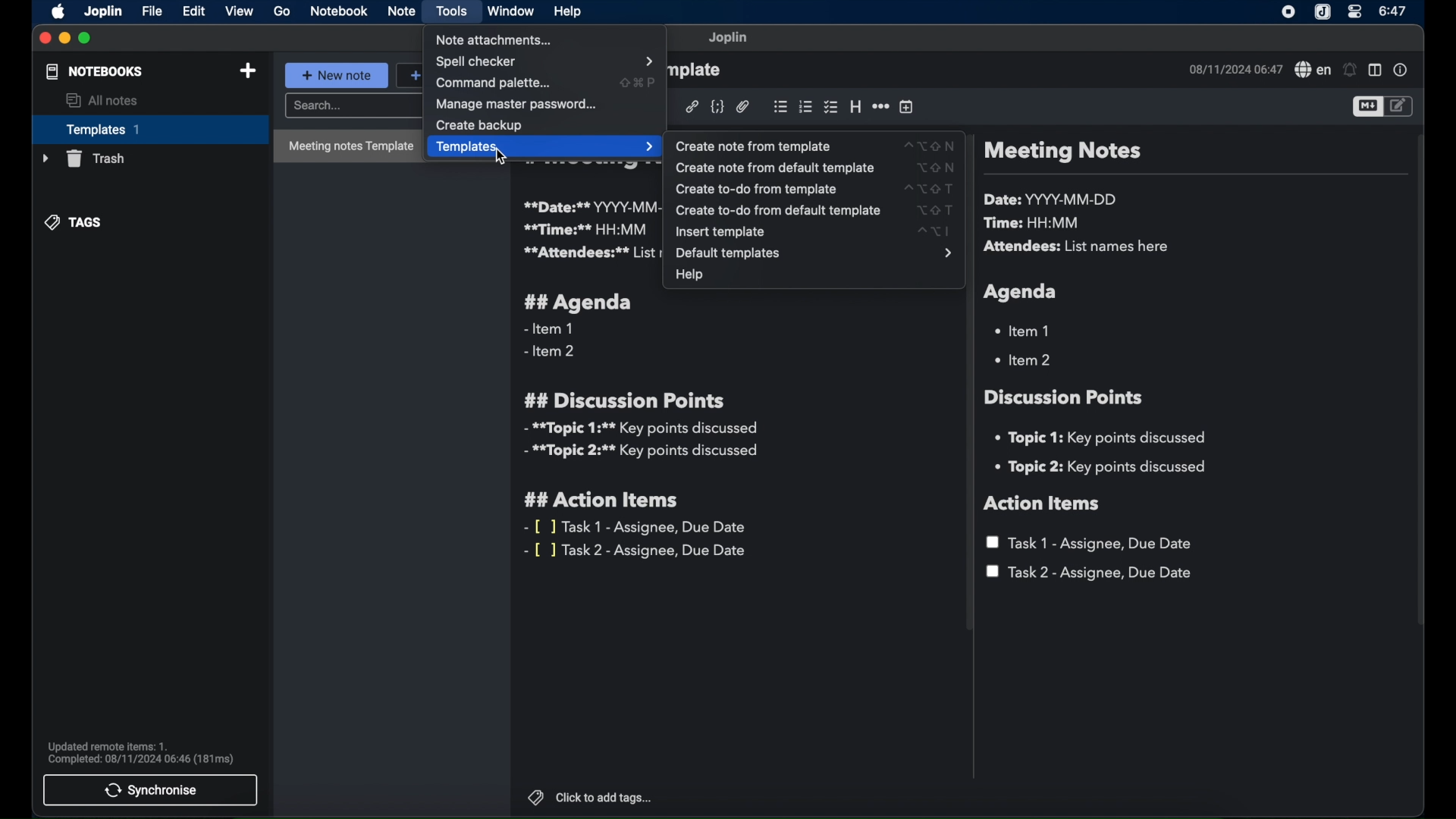 This screenshot has height=819, width=1456. Describe the element at coordinates (586, 229) in the screenshot. I see `**time:** HH:MM` at that location.